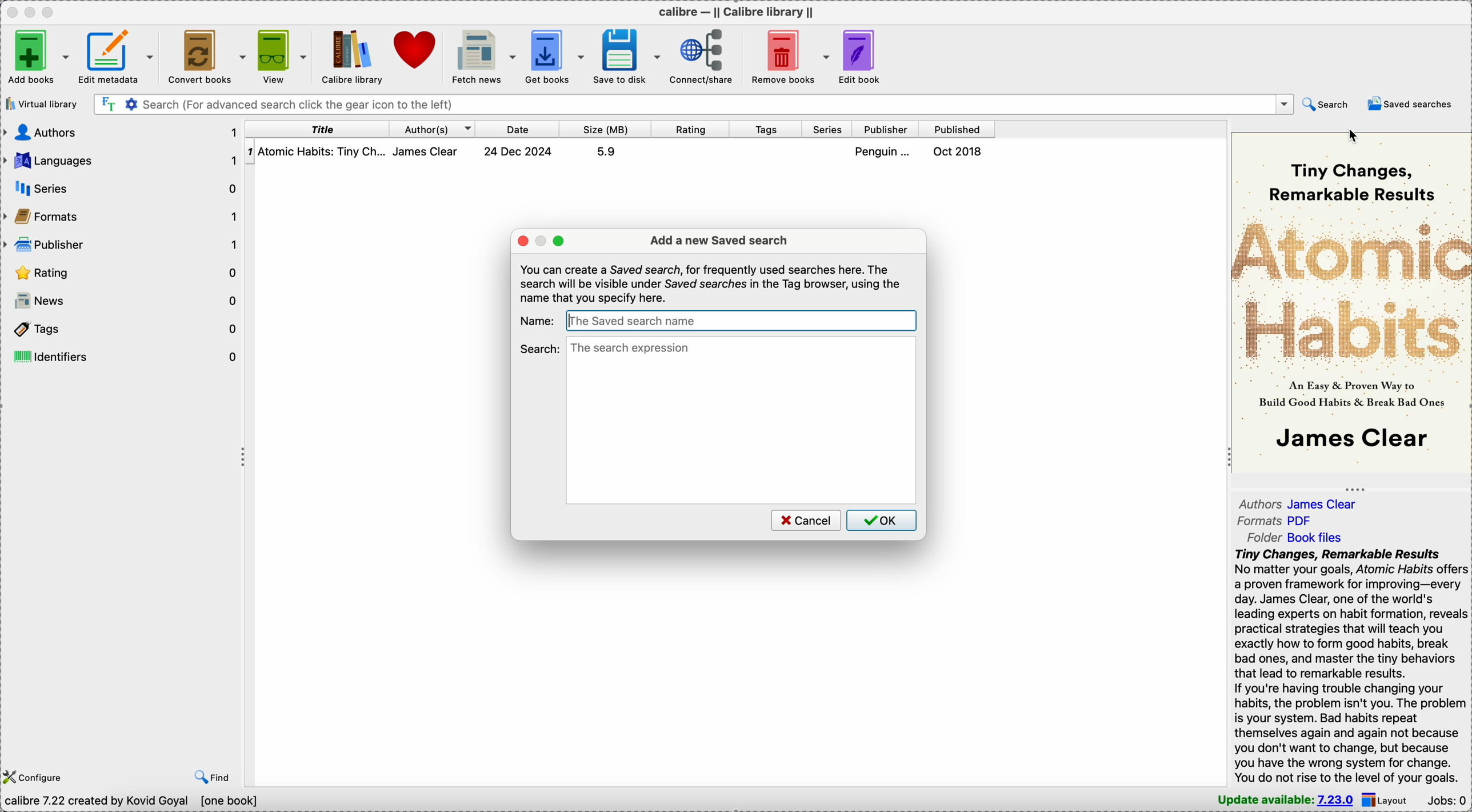 The width and height of the screenshot is (1472, 812). What do you see at coordinates (122, 131) in the screenshot?
I see `authors` at bounding box center [122, 131].